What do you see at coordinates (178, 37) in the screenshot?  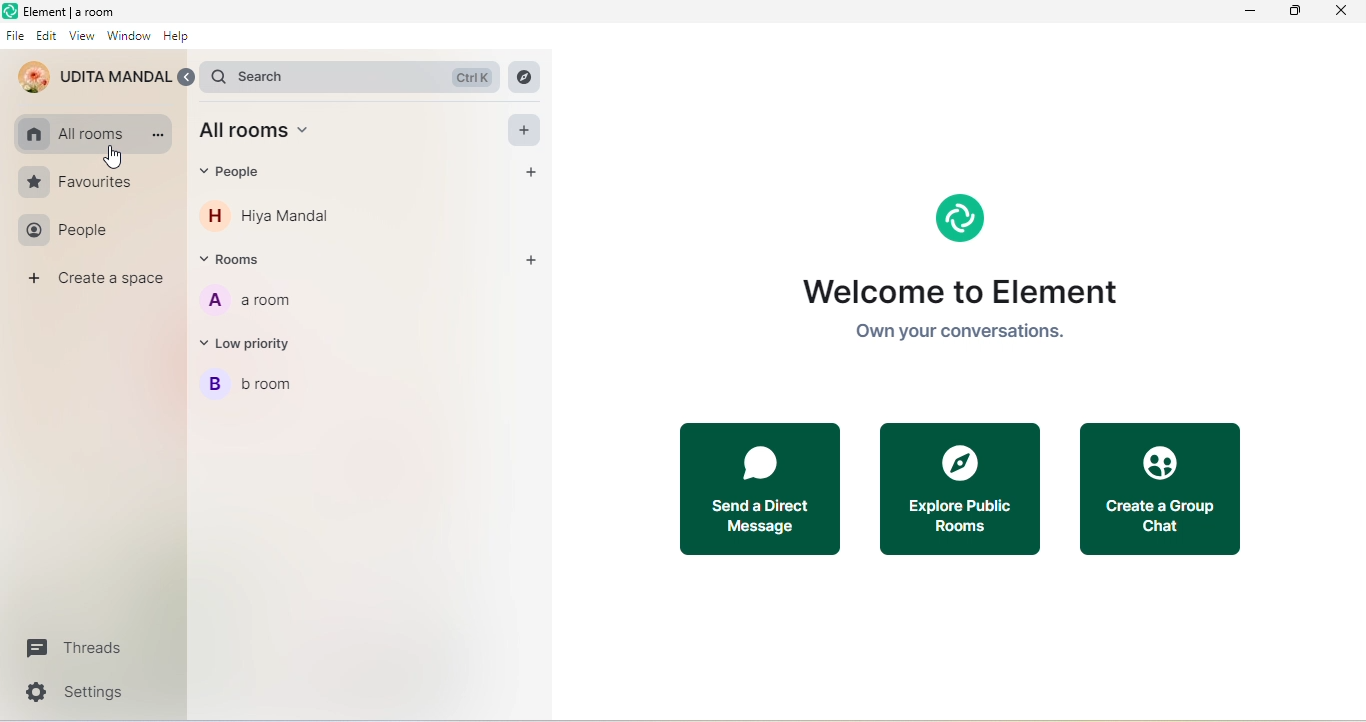 I see `Help` at bounding box center [178, 37].